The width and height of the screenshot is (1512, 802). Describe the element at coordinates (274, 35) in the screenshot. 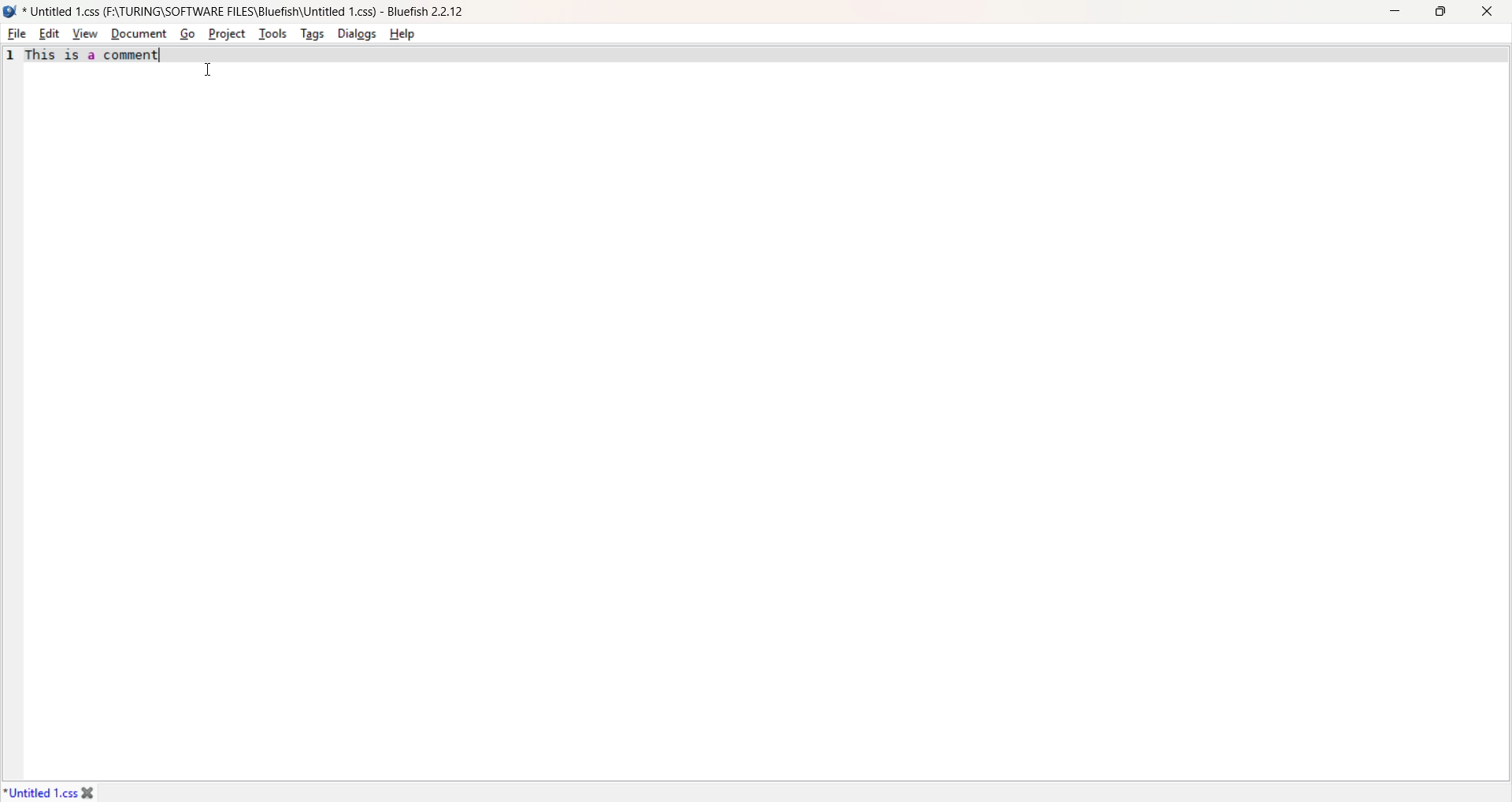

I see `Tools` at that location.